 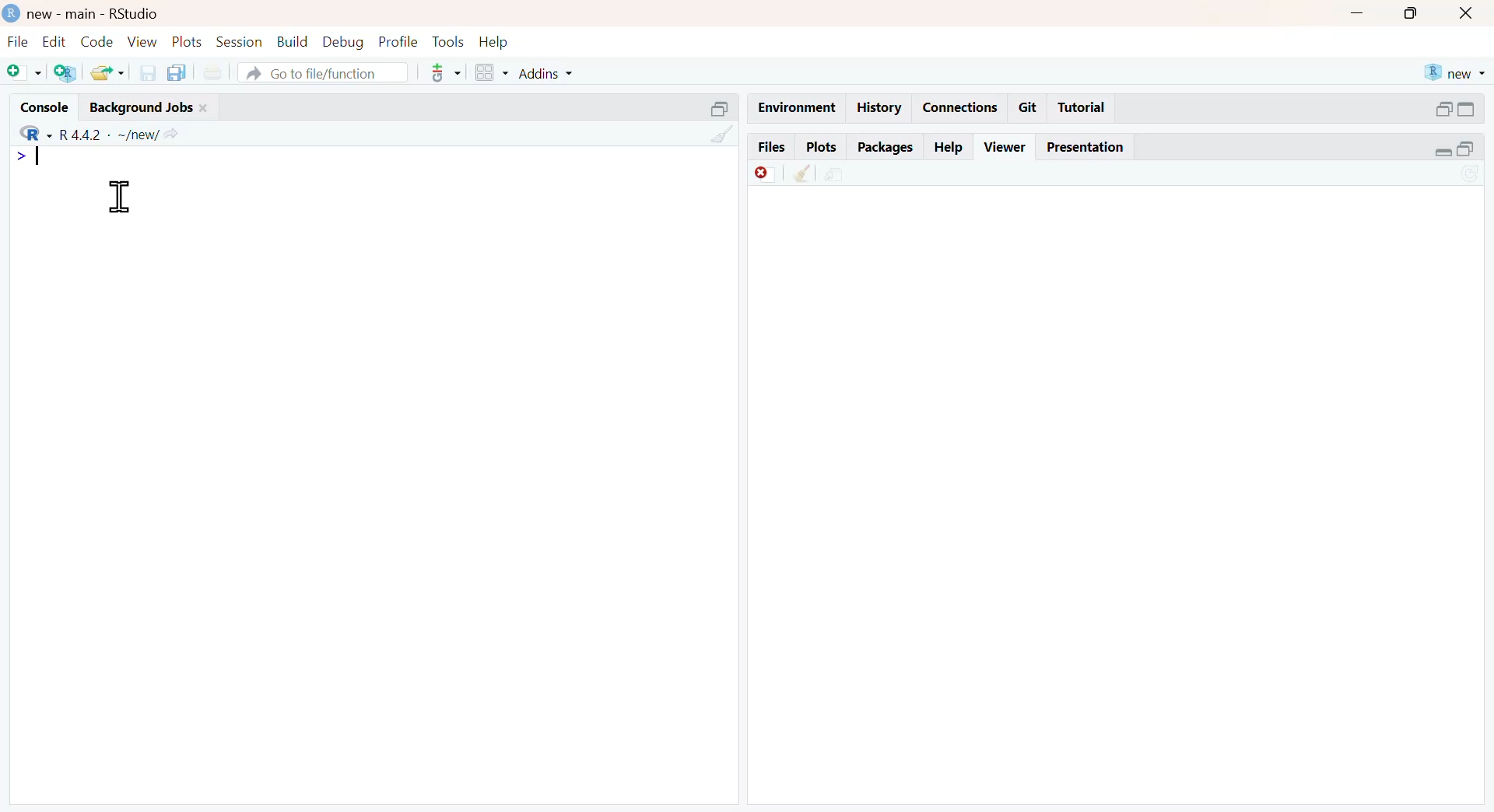 What do you see at coordinates (324, 72) in the screenshot?
I see `go to file/function` at bounding box center [324, 72].